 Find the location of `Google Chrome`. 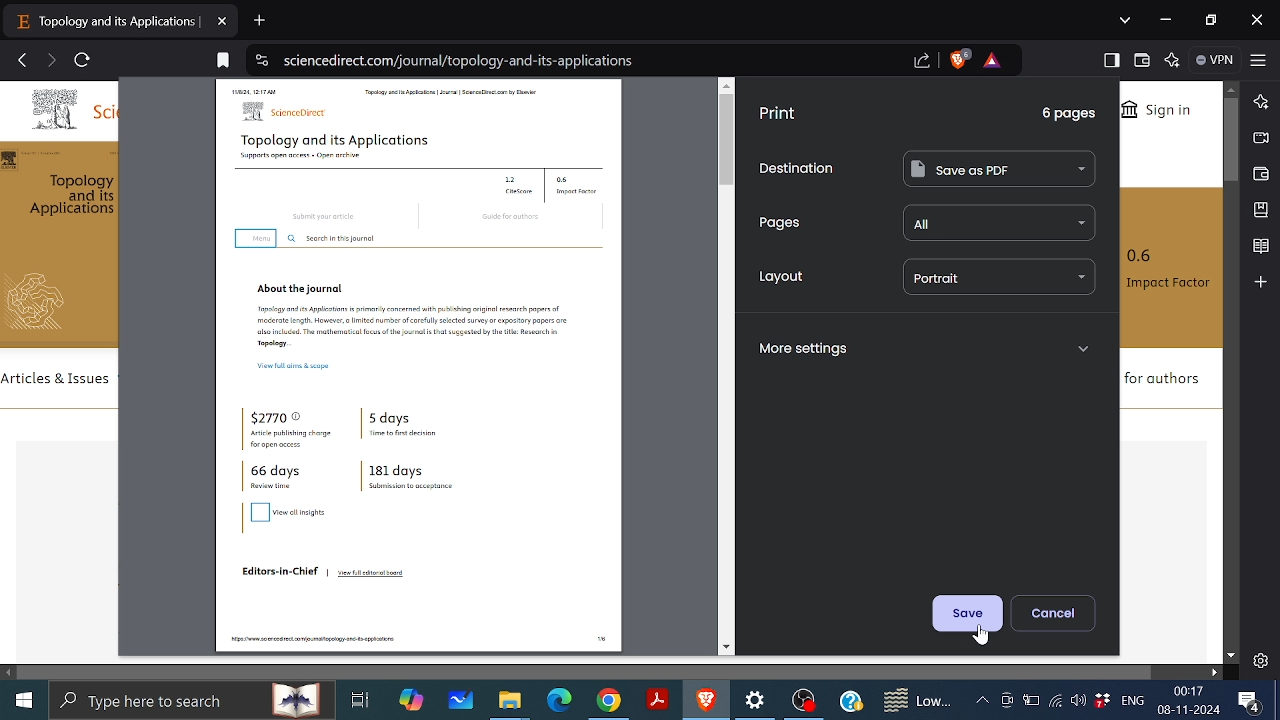

Google Chrome is located at coordinates (608, 701).